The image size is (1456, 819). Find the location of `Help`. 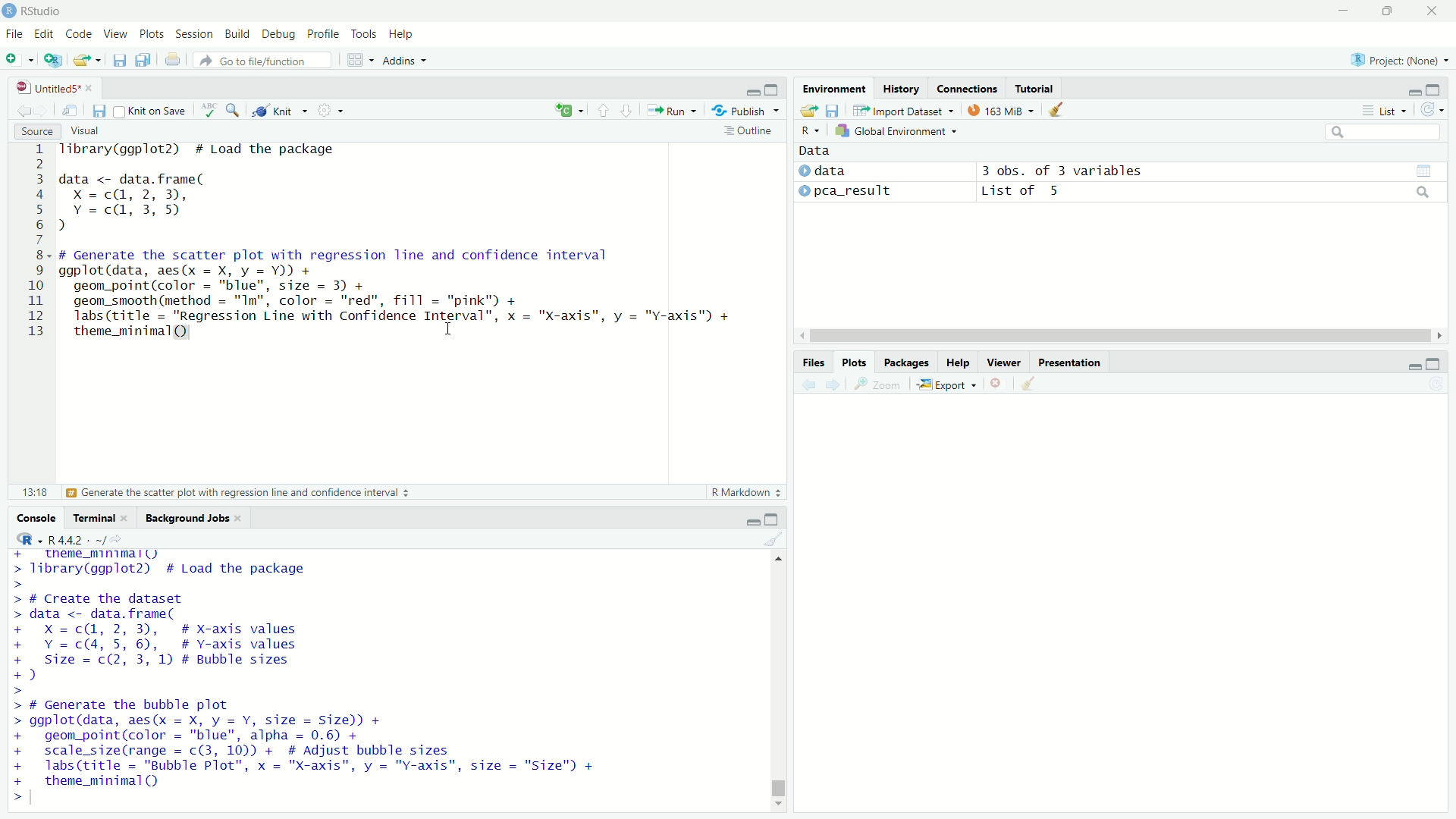

Help is located at coordinates (401, 34).